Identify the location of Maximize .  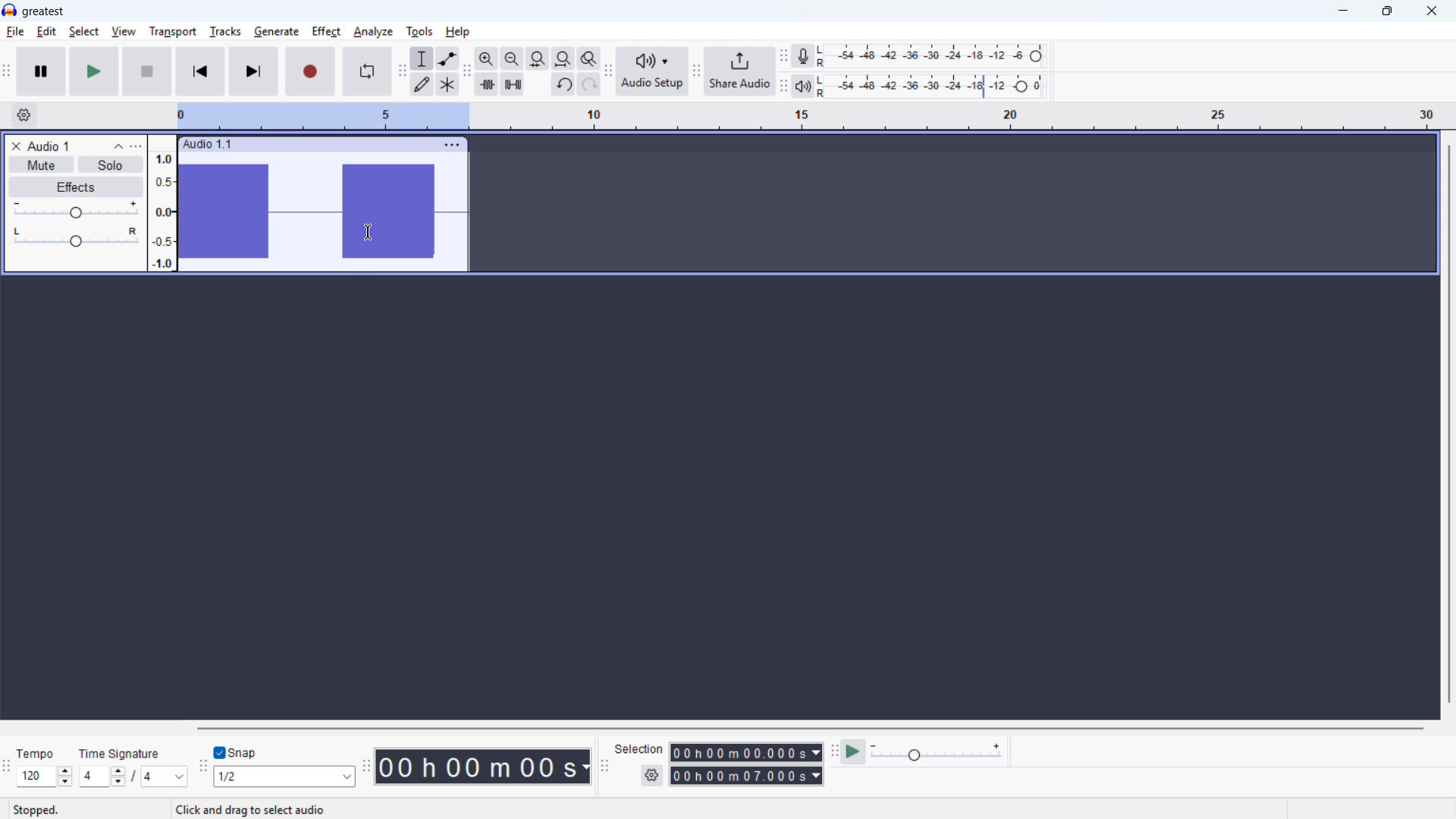
(1387, 11).